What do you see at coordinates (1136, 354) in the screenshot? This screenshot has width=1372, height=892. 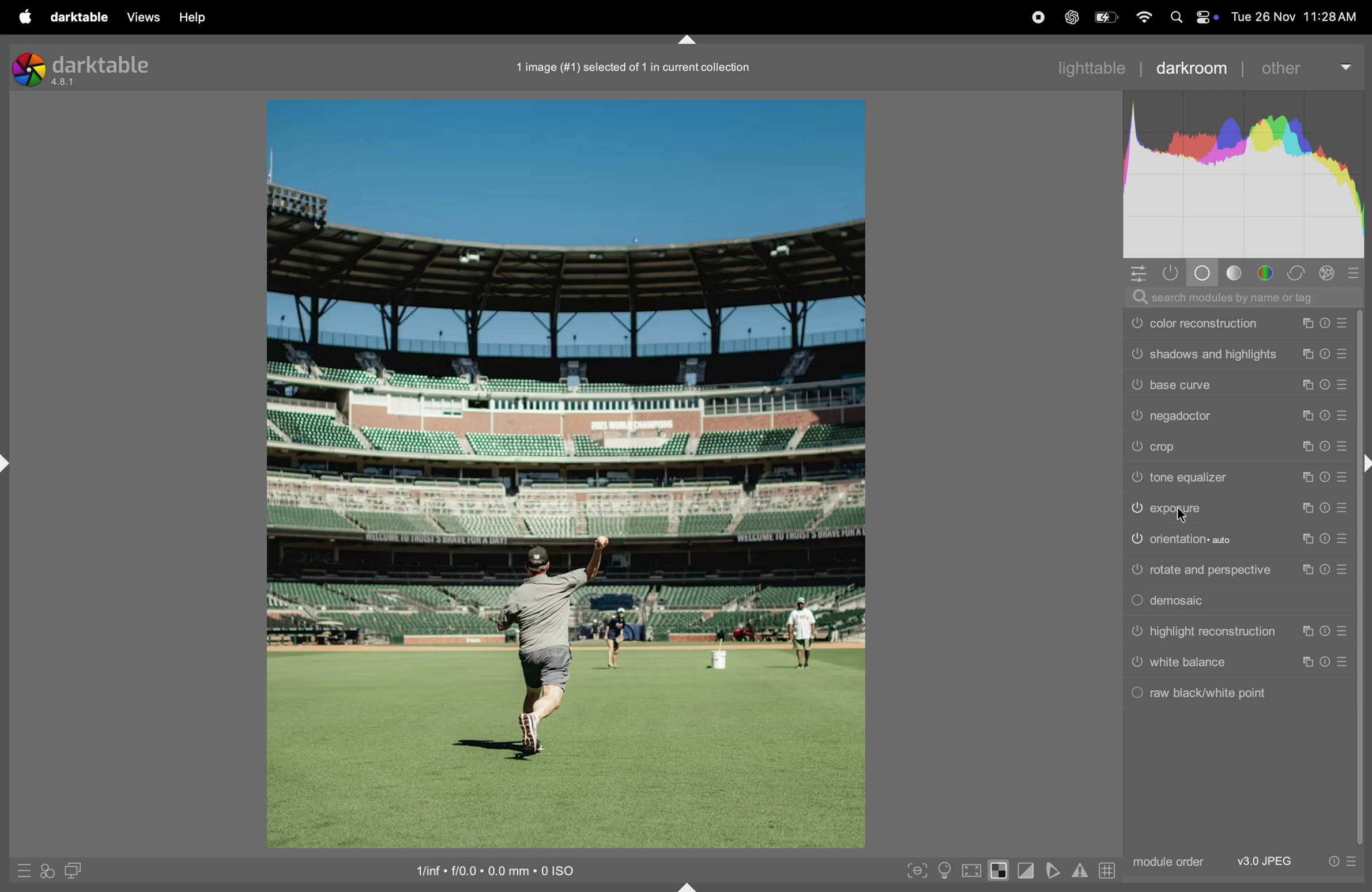 I see `Switch on or off` at bounding box center [1136, 354].